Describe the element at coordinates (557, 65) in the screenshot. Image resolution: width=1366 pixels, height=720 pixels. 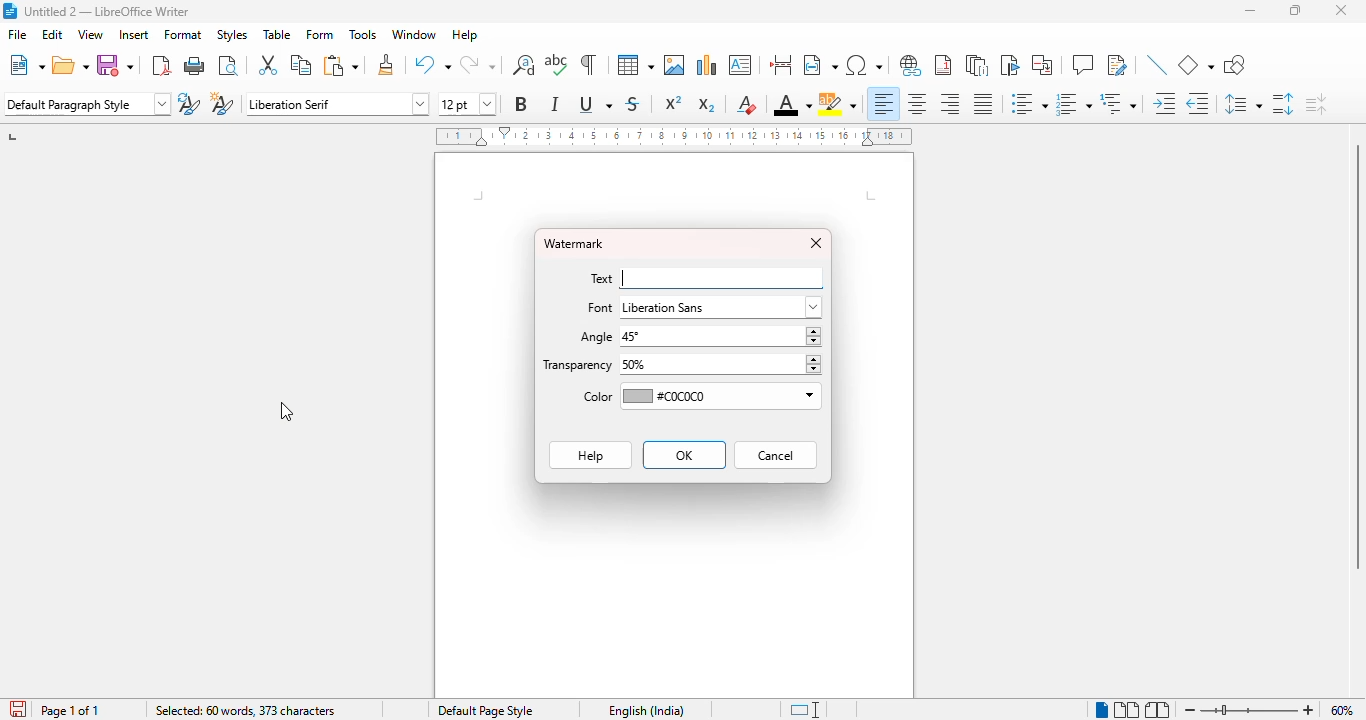
I see `spelling` at that location.